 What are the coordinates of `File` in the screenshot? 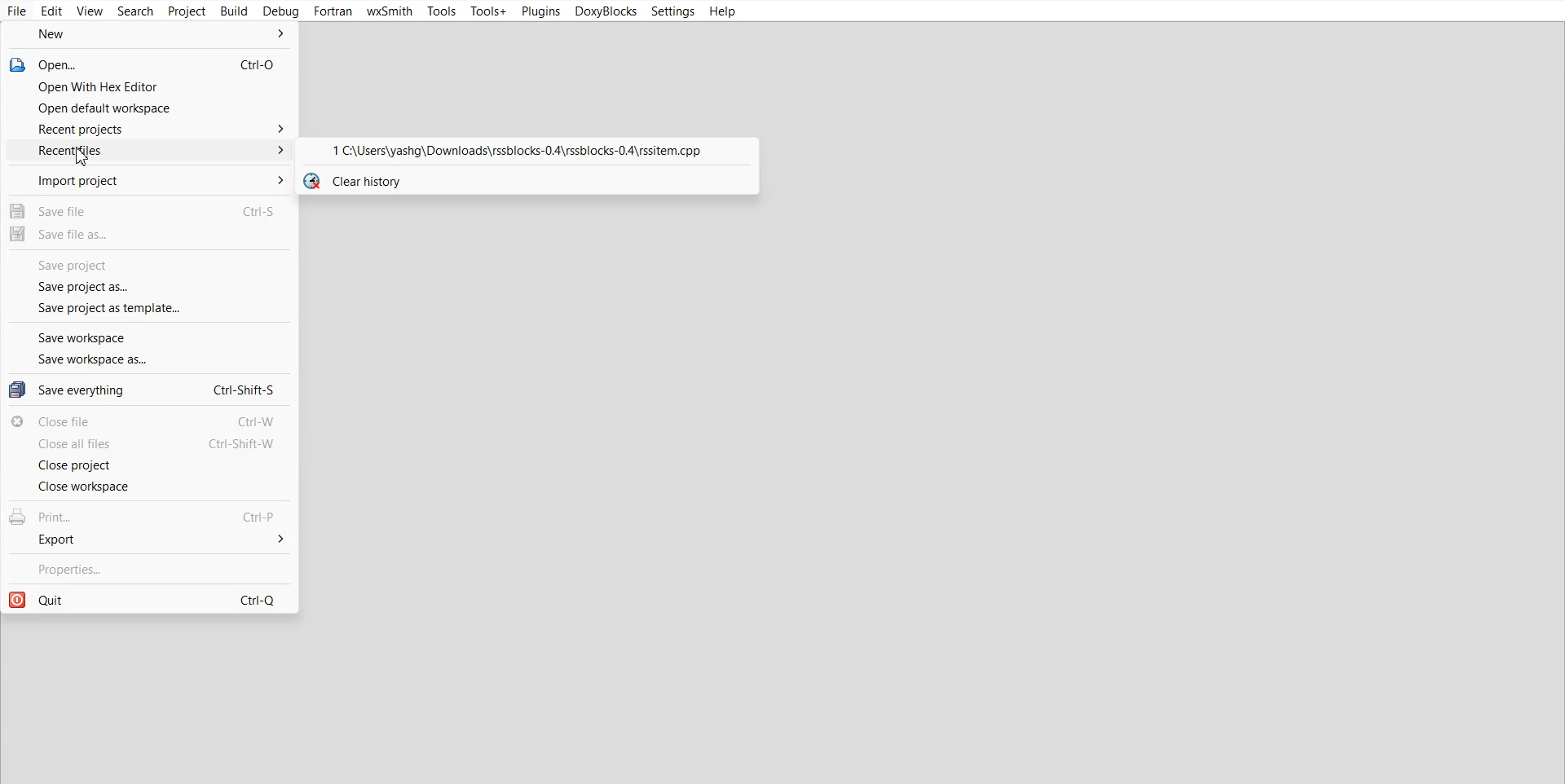 It's located at (18, 11).